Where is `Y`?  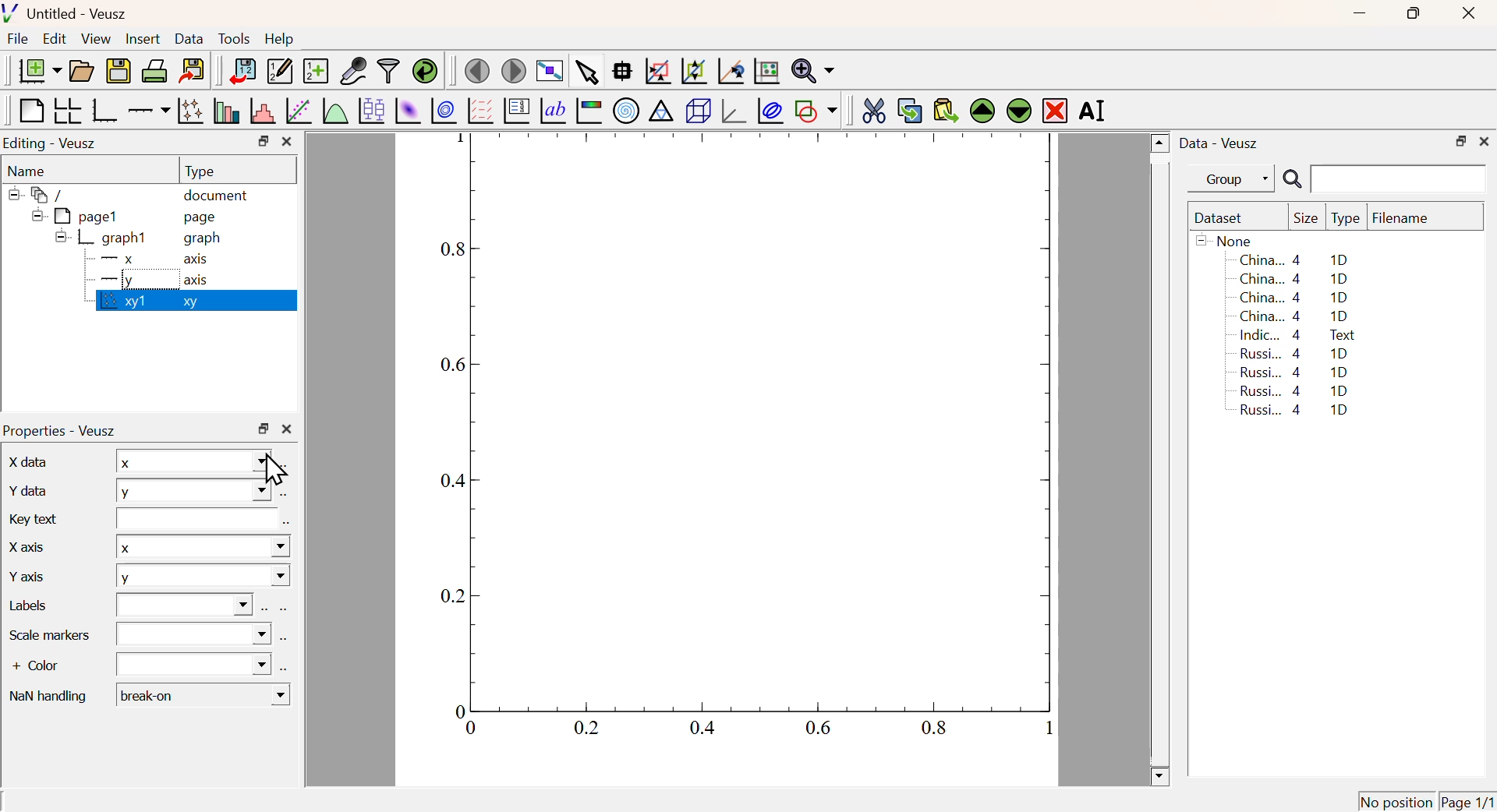 Y is located at coordinates (203, 578).